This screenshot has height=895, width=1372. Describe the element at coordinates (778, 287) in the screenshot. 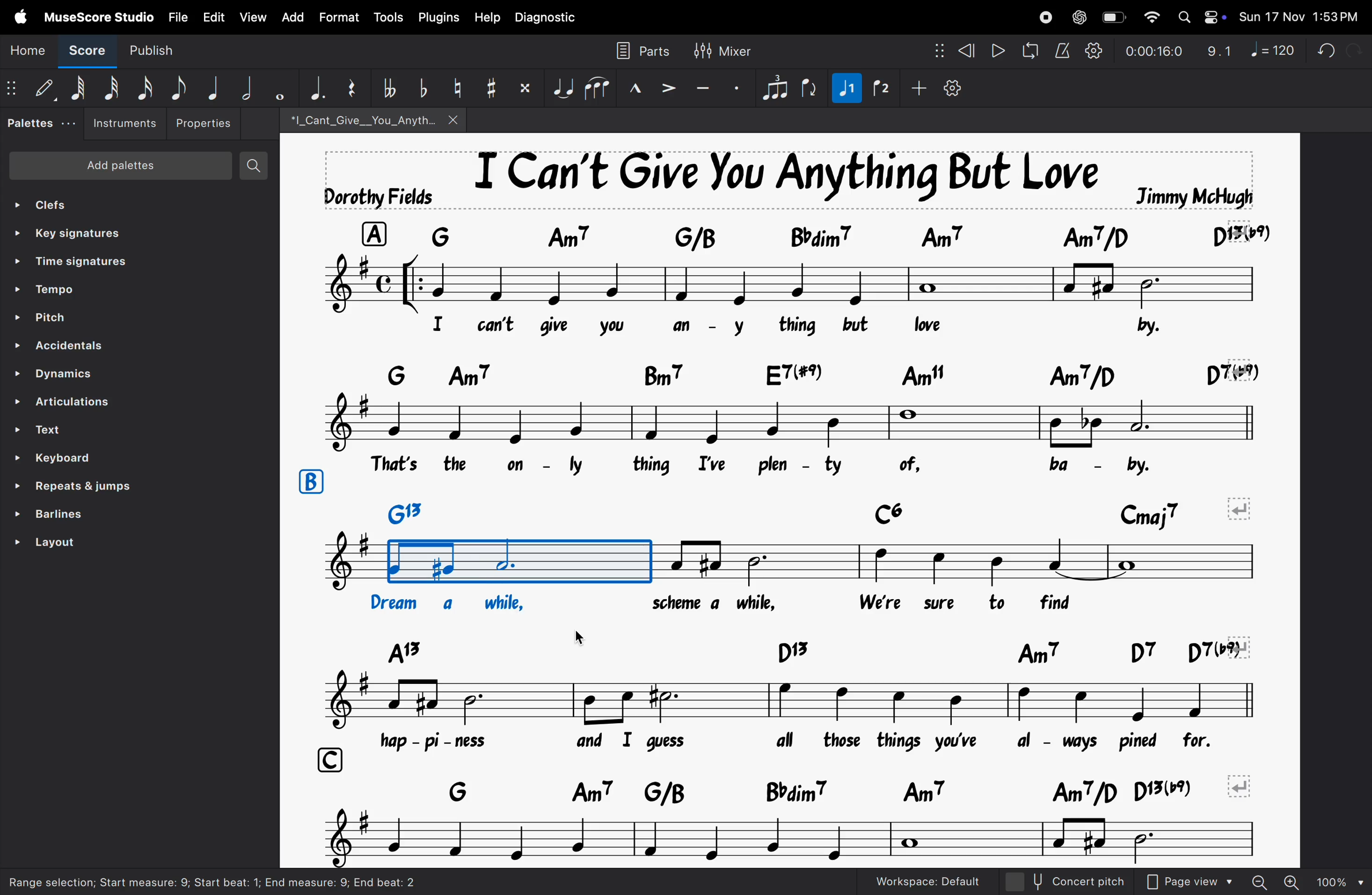

I see `notes` at that location.